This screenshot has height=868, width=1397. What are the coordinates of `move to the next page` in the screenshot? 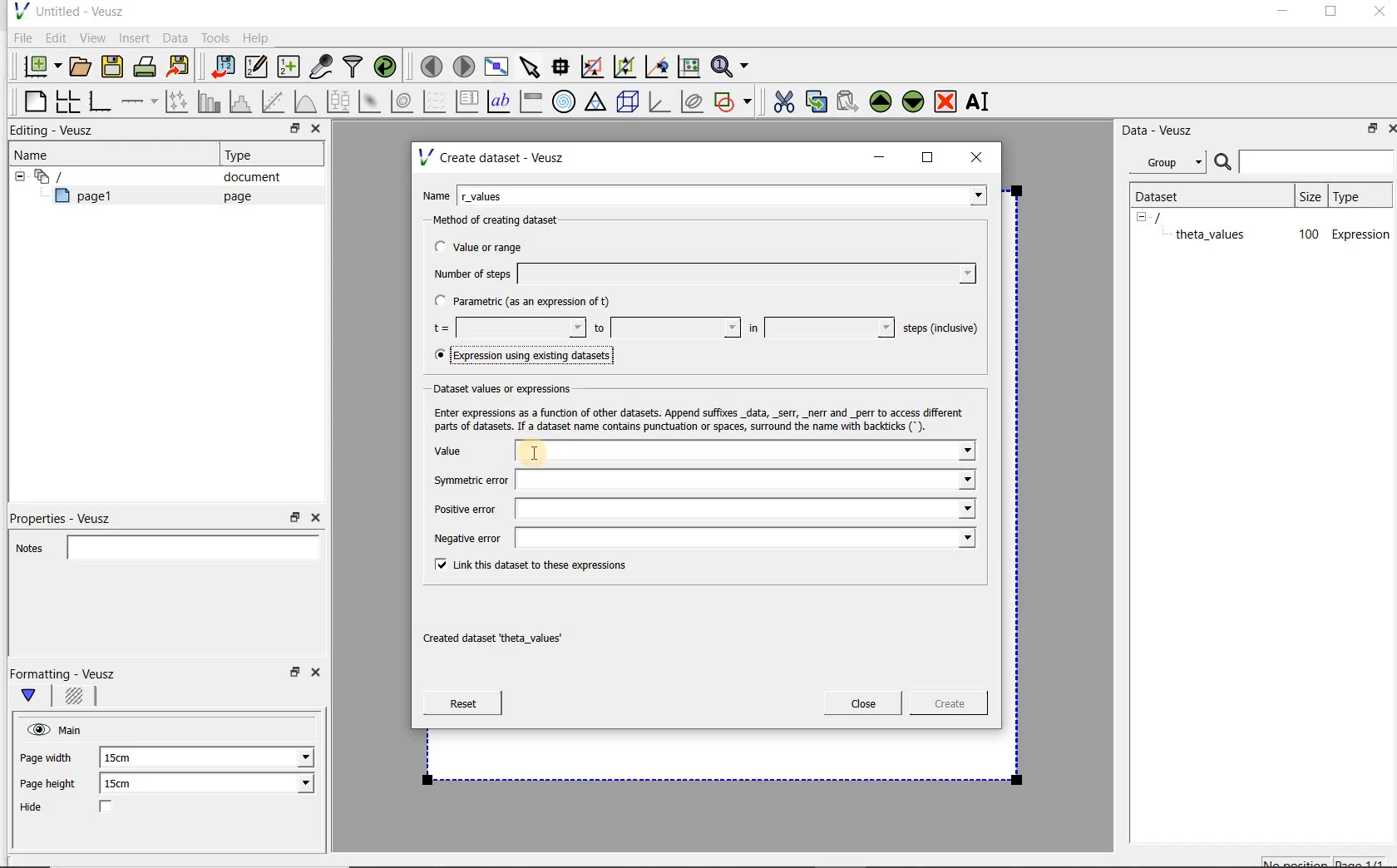 It's located at (464, 67).